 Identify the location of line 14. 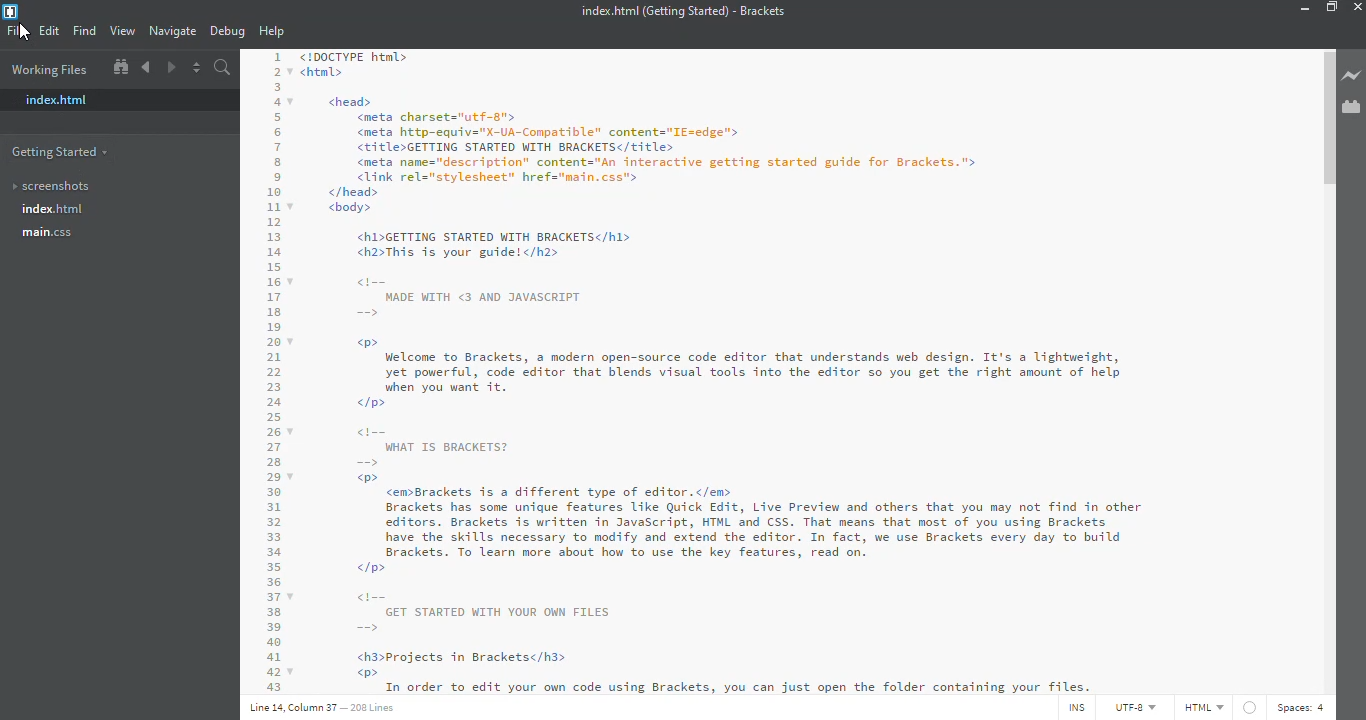
(294, 707).